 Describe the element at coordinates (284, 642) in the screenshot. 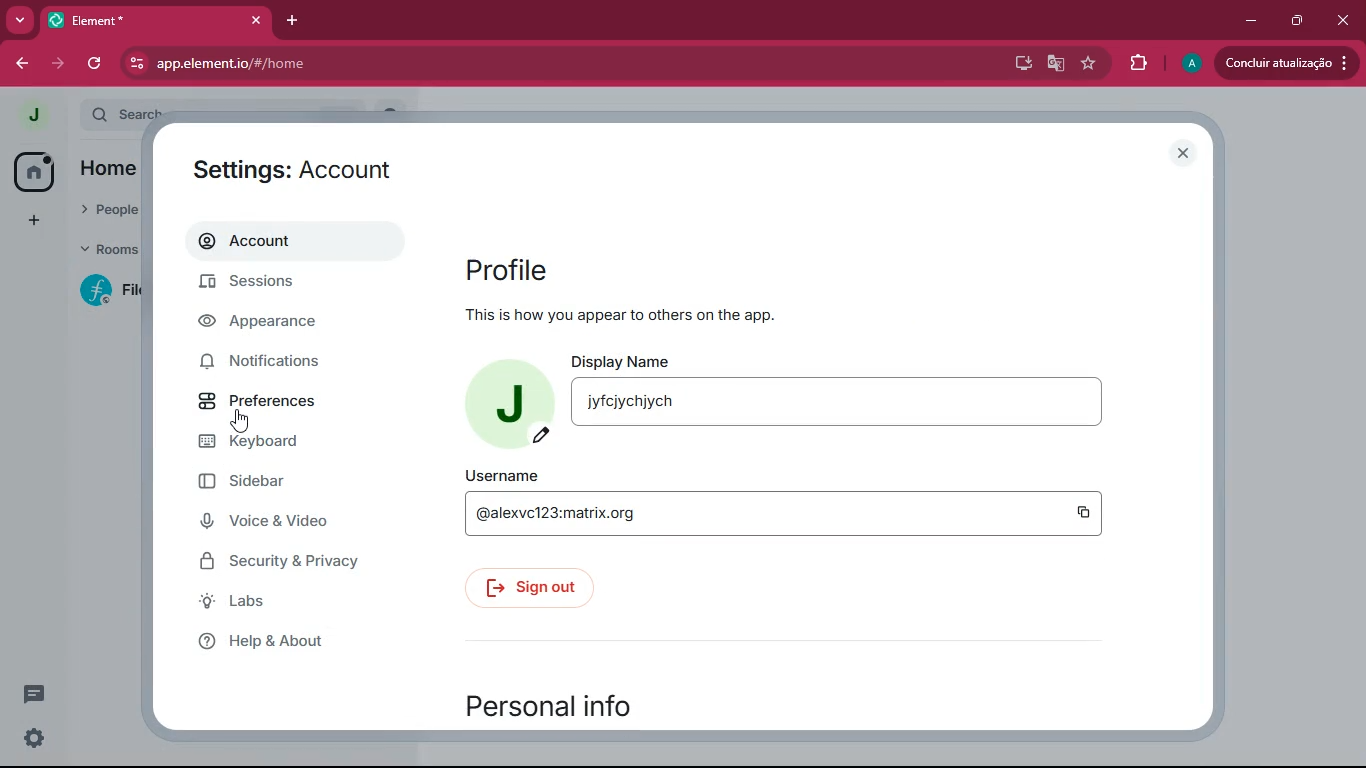

I see `help & about` at that location.